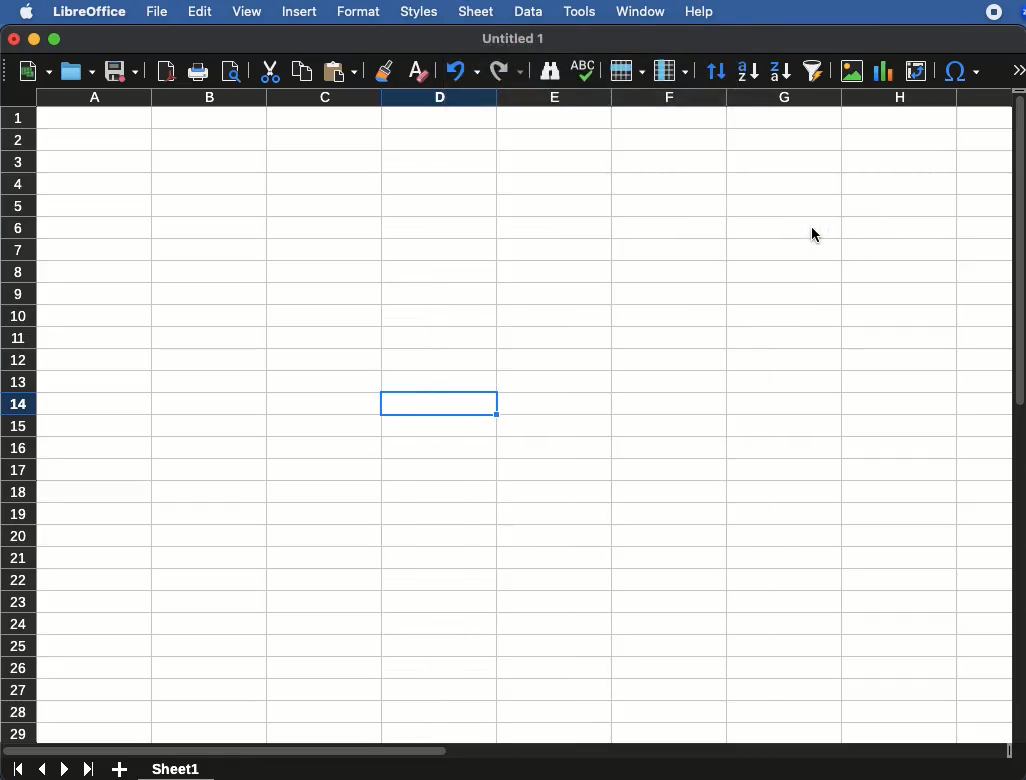  What do you see at coordinates (780, 73) in the screenshot?
I see `descending` at bounding box center [780, 73].